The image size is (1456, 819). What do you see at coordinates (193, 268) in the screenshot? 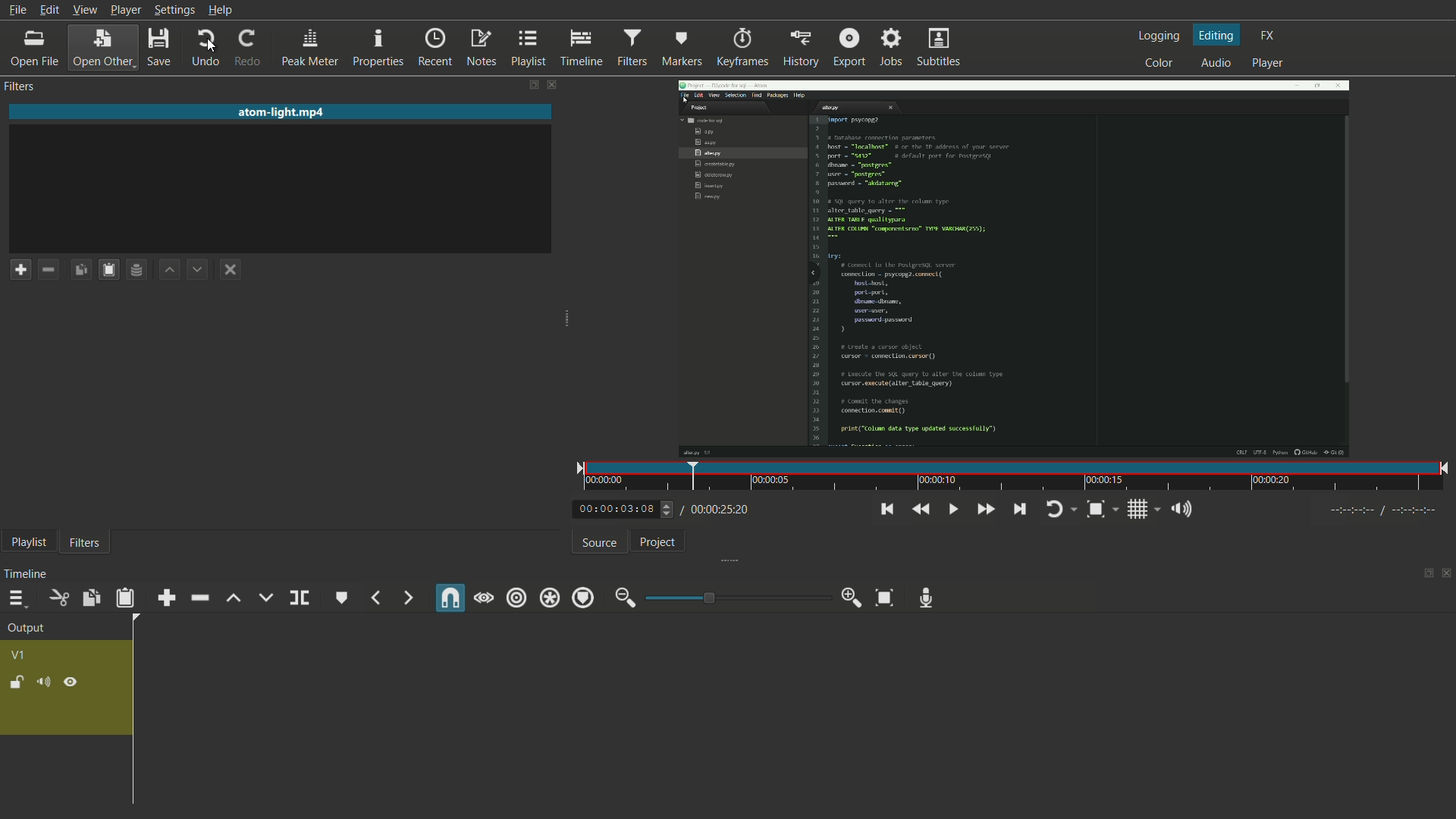
I see `Forward` at bounding box center [193, 268].